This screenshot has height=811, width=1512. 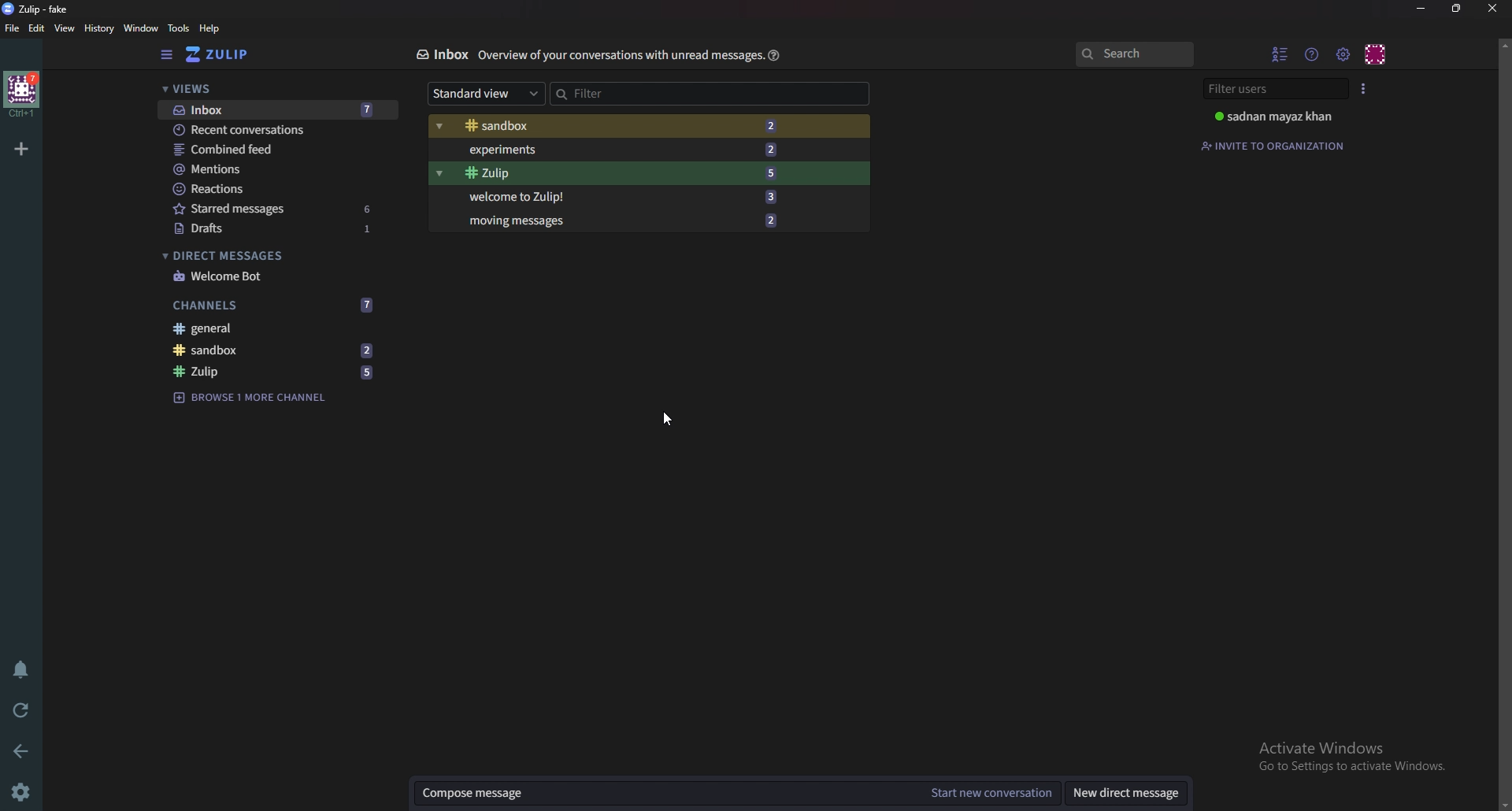 I want to click on Resize, so click(x=1456, y=8).